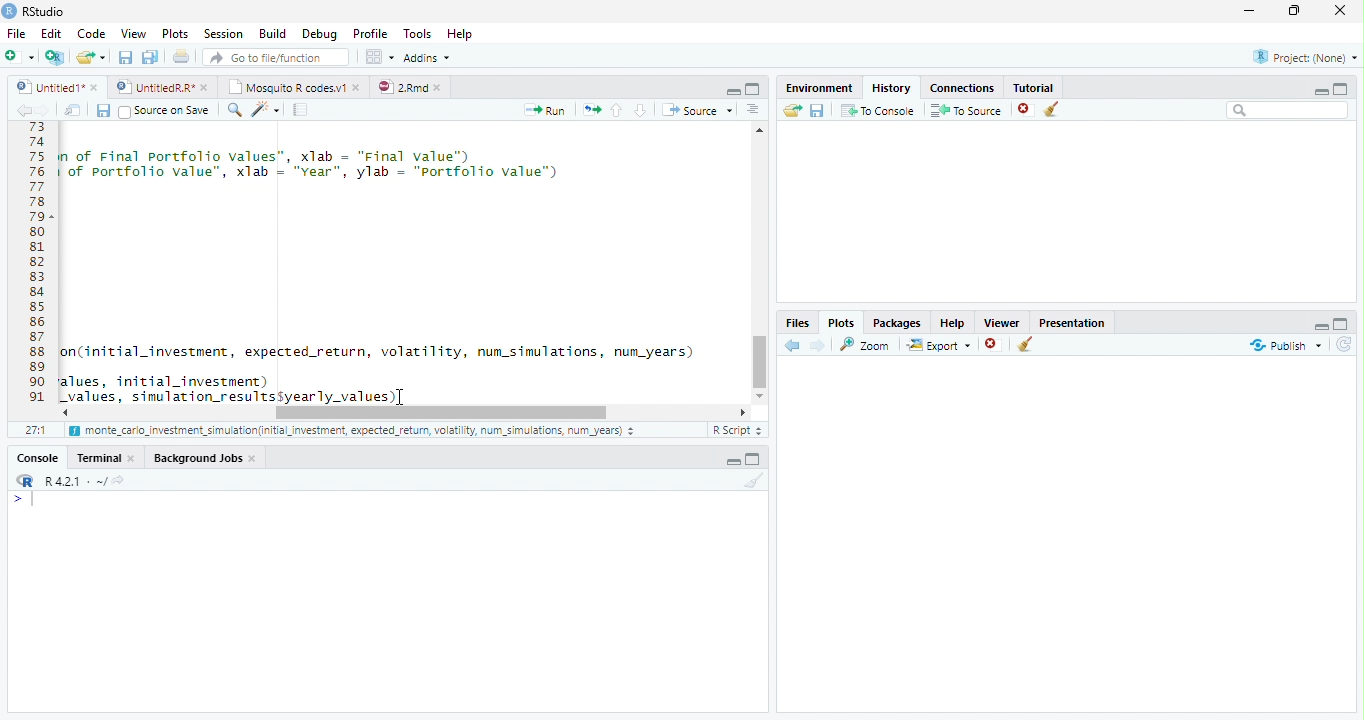 Image resolution: width=1364 pixels, height=720 pixels. What do you see at coordinates (67, 479) in the screenshot?
I see `R 4.2.1 ~/` at bounding box center [67, 479].